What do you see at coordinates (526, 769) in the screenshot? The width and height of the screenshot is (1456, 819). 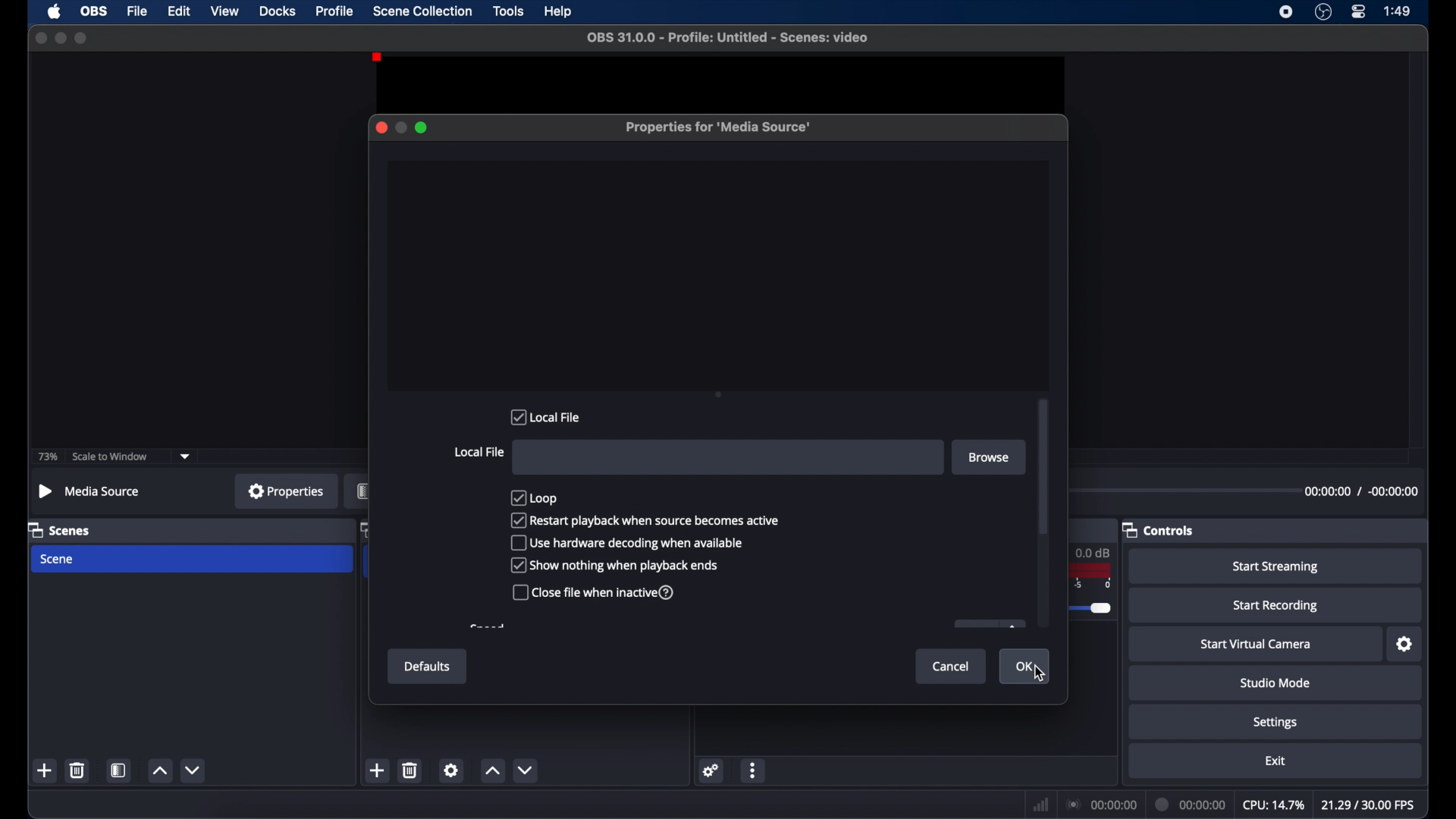 I see `decrement` at bounding box center [526, 769].